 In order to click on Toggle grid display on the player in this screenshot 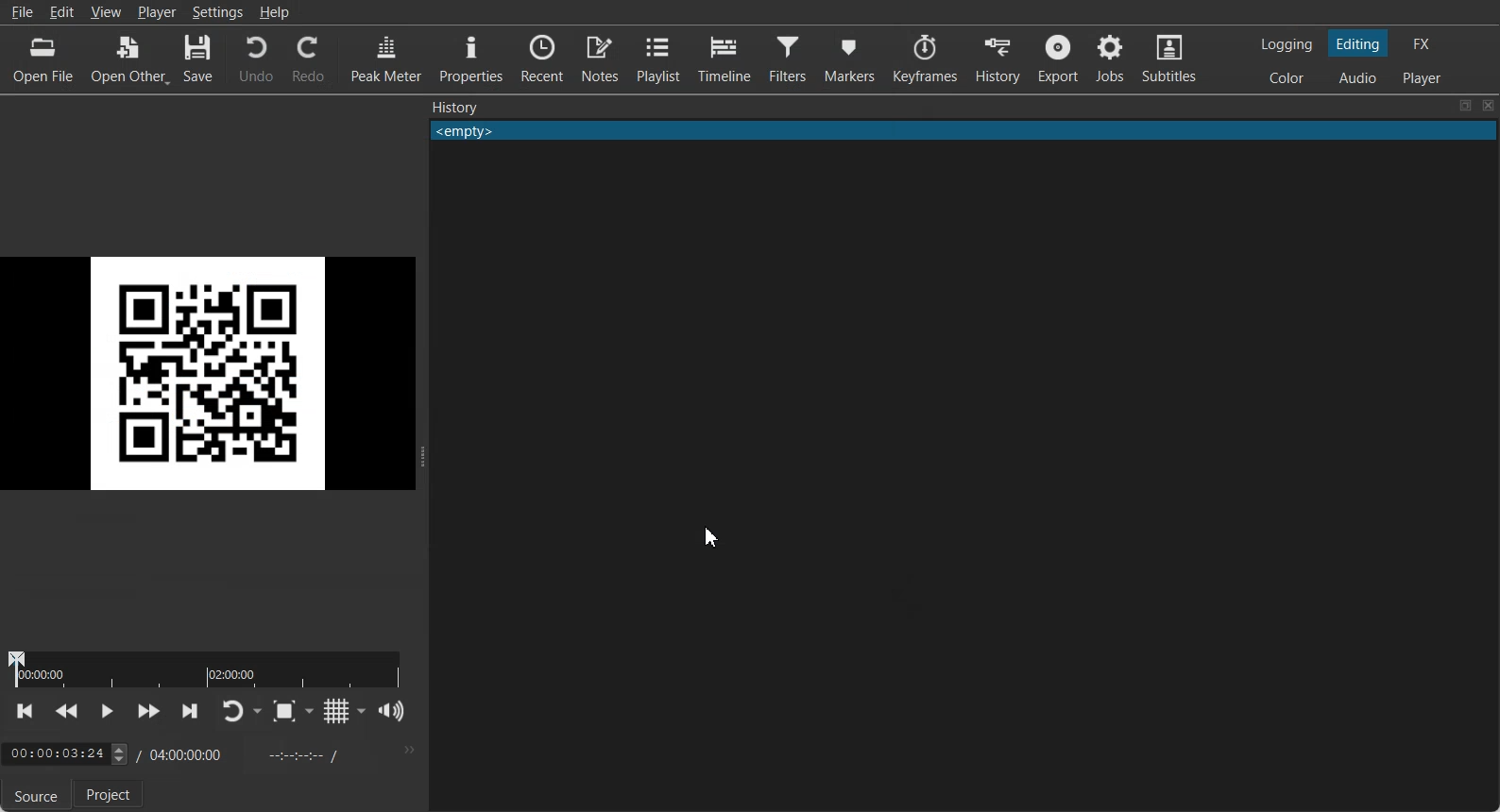, I will do `click(335, 711)`.